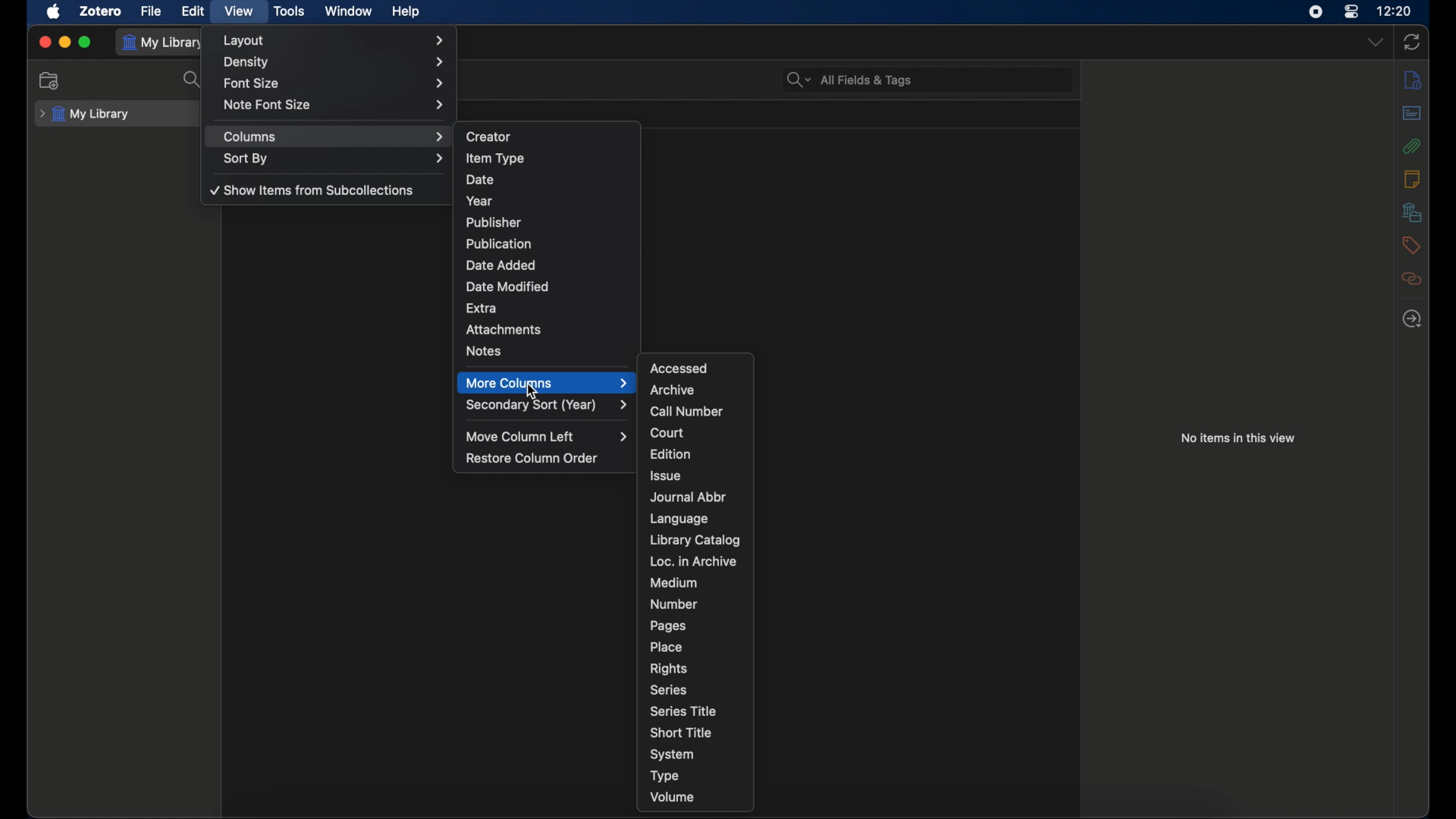 The width and height of the screenshot is (1456, 819). What do you see at coordinates (1395, 11) in the screenshot?
I see `time` at bounding box center [1395, 11].